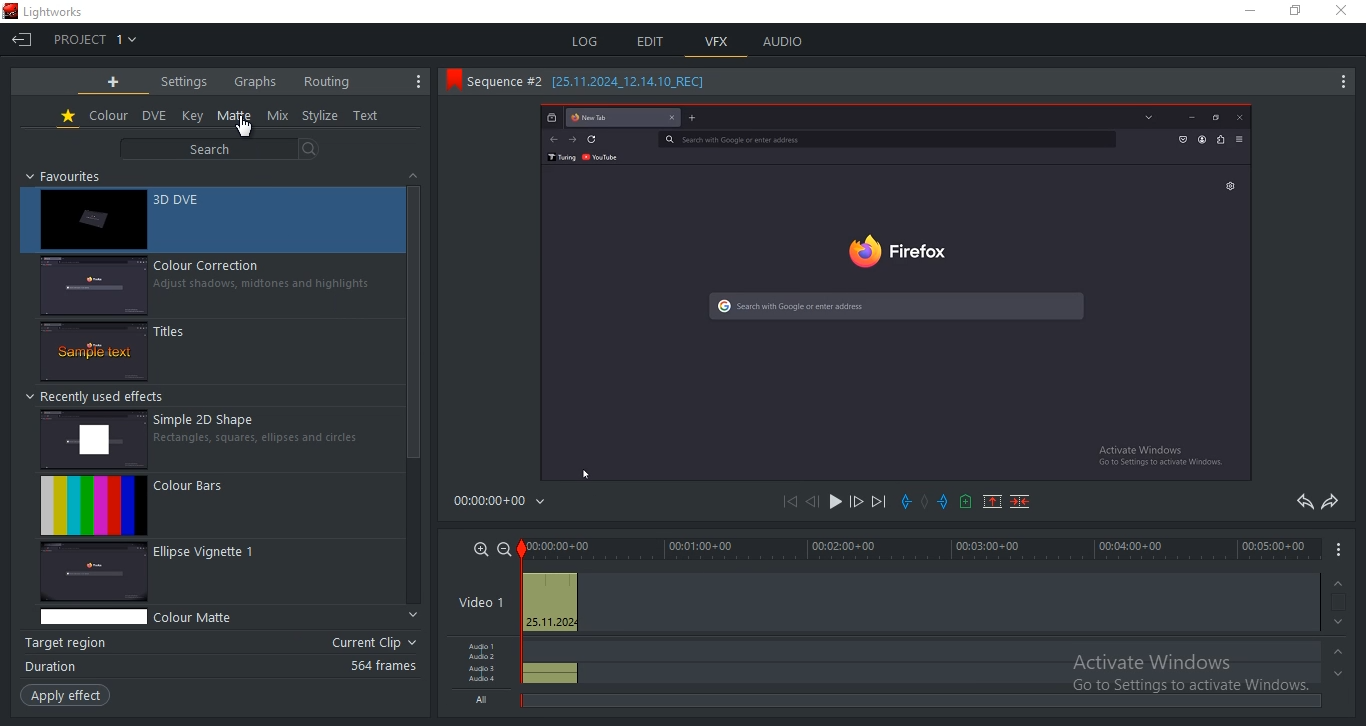  What do you see at coordinates (64, 696) in the screenshot?
I see `apply effect` at bounding box center [64, 696].